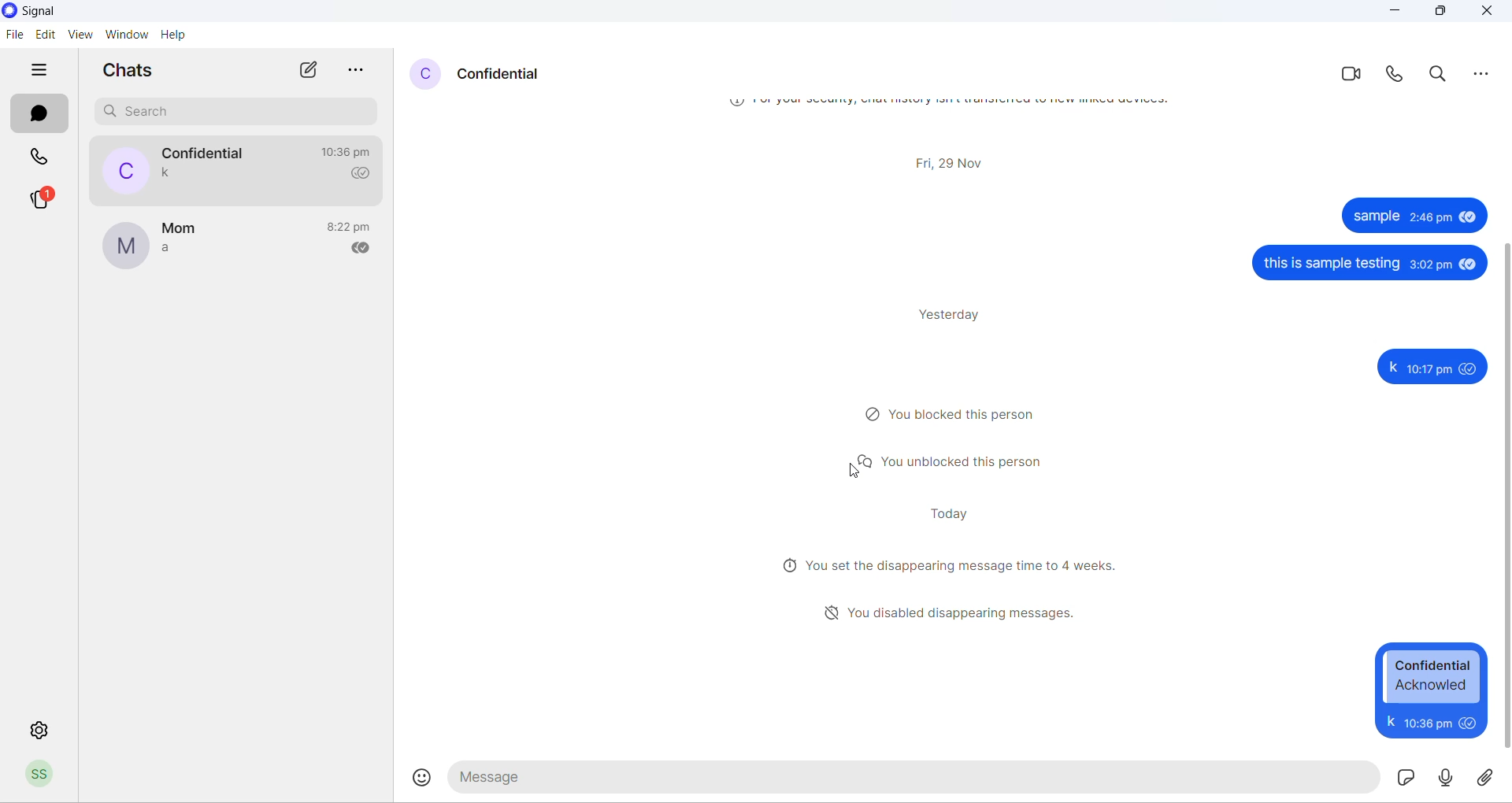 The height and width of the screenshot is (803, 1512). What do you see at coordinates (1375, 216) in the screenshot?
I see `sample` at bounding box center [1375, 216].